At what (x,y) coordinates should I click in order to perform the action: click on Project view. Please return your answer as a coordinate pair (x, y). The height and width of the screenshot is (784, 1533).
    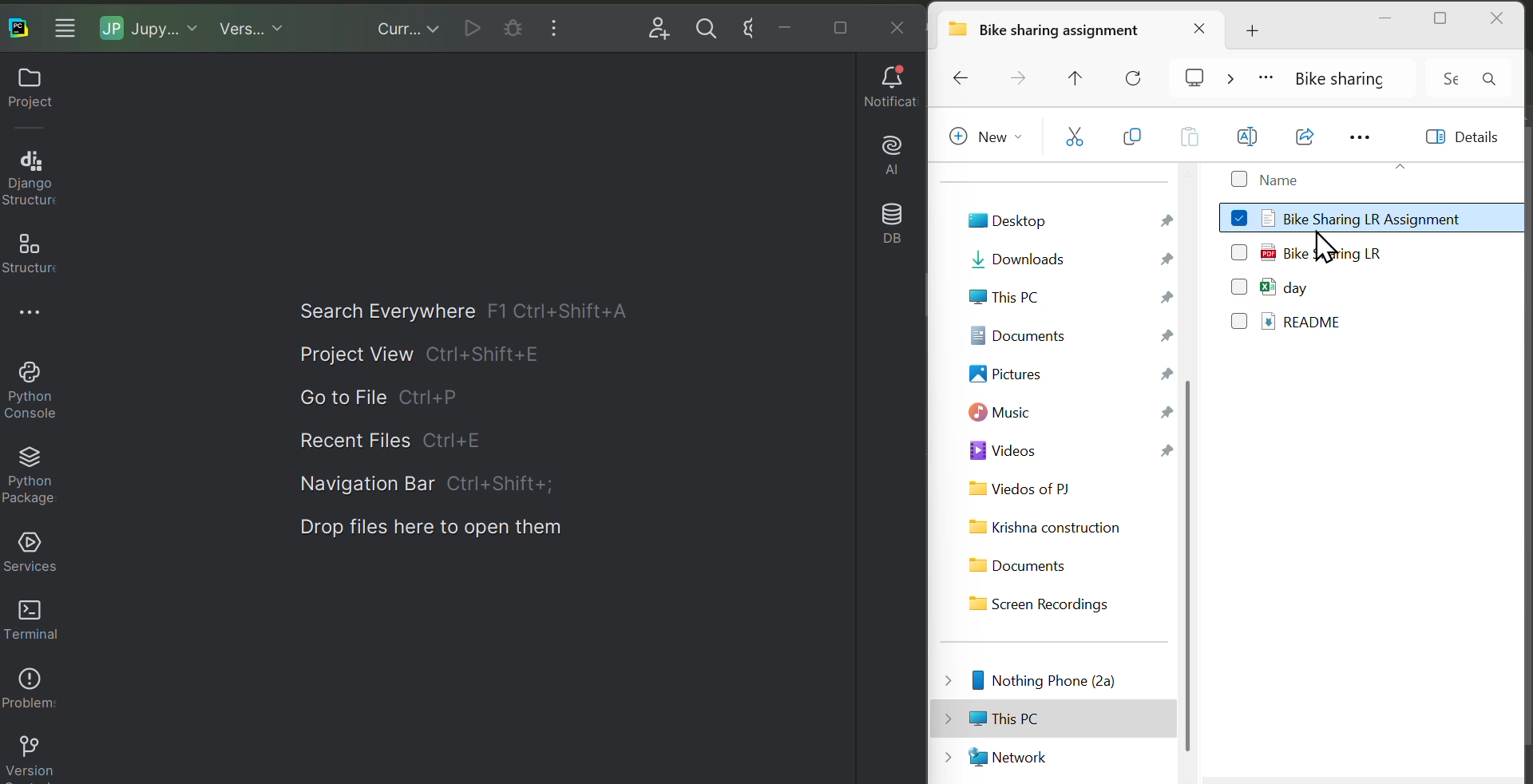
    Looking at the image, I should click on (414, 354).